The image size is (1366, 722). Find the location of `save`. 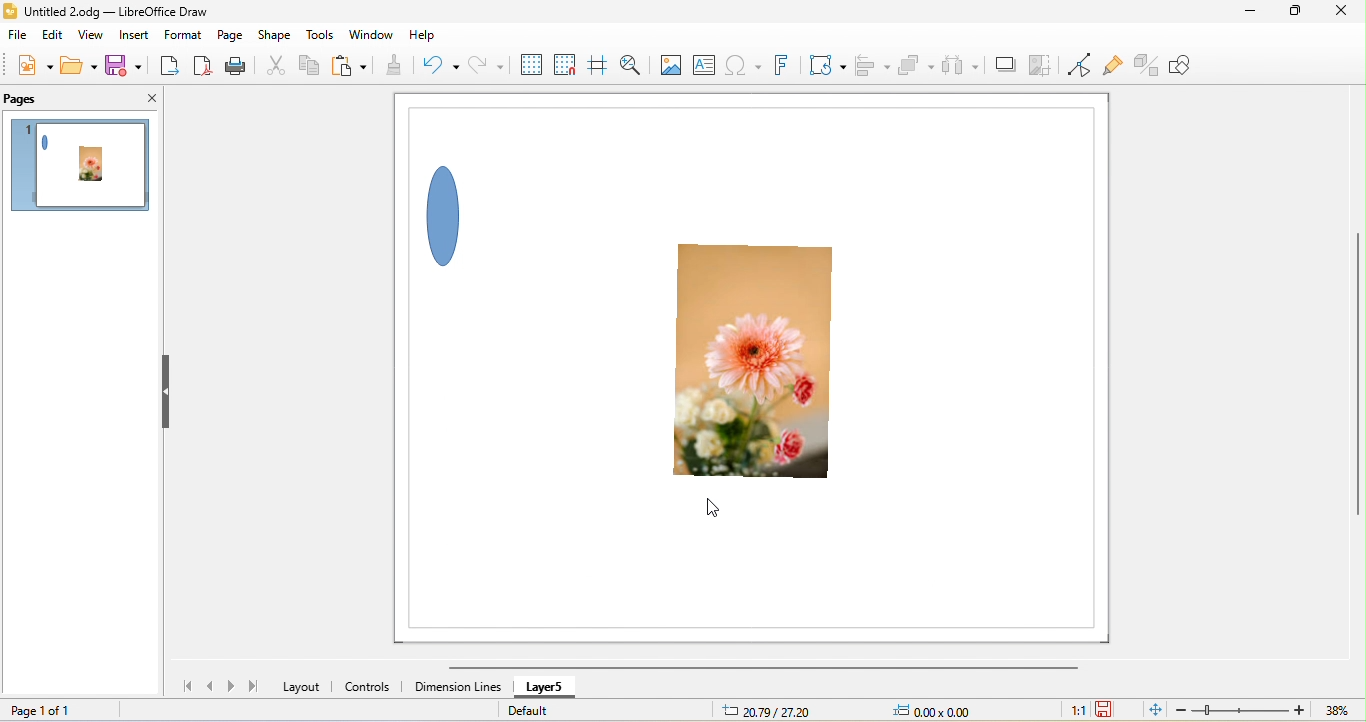

save is located at coordinates (121, 65).